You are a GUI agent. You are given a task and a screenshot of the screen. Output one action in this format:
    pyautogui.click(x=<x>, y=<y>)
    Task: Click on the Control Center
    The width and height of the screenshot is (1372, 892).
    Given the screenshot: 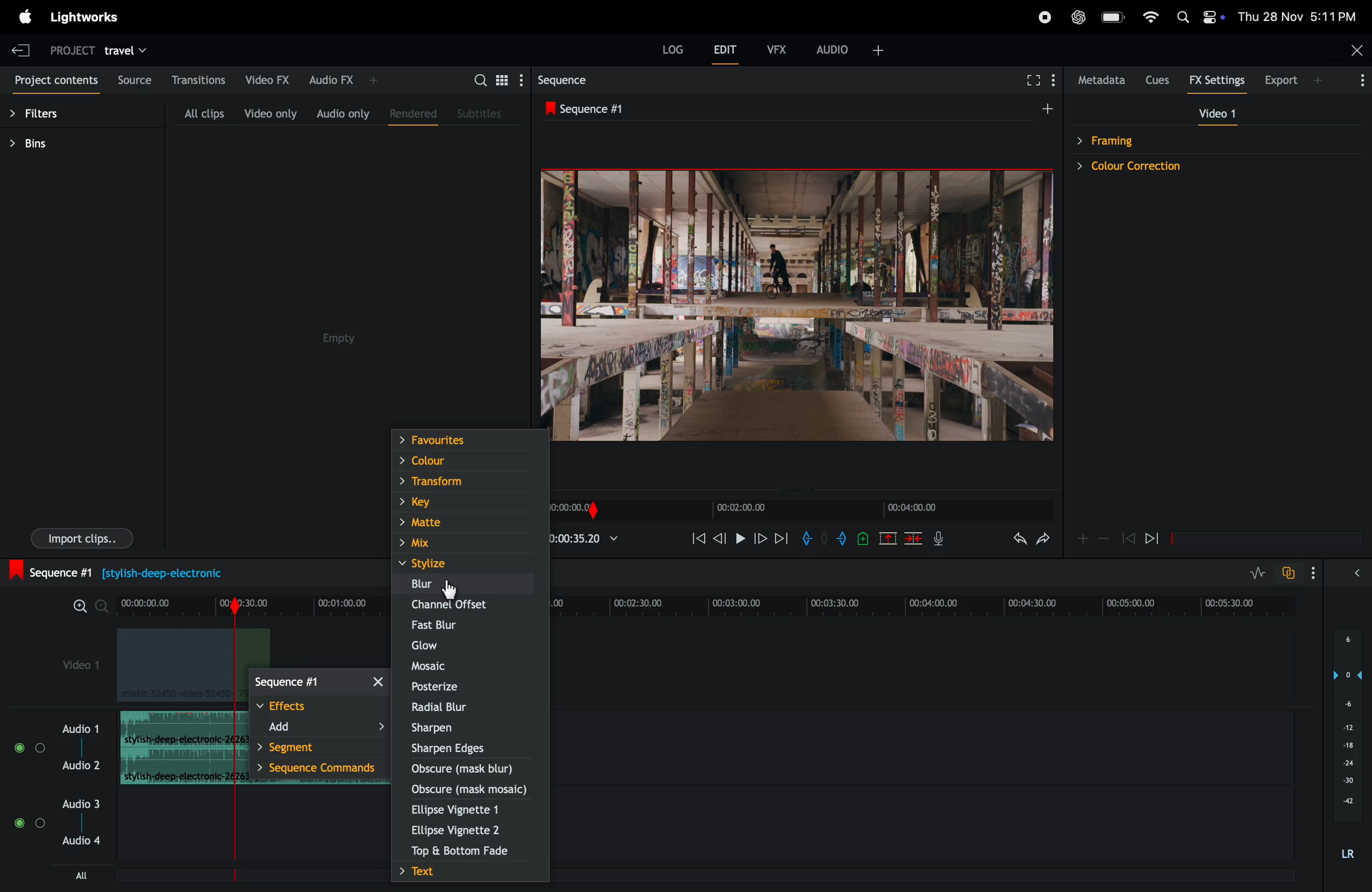 What is the action you would take?
    pyautogui.click(x=1213, y=17)
    